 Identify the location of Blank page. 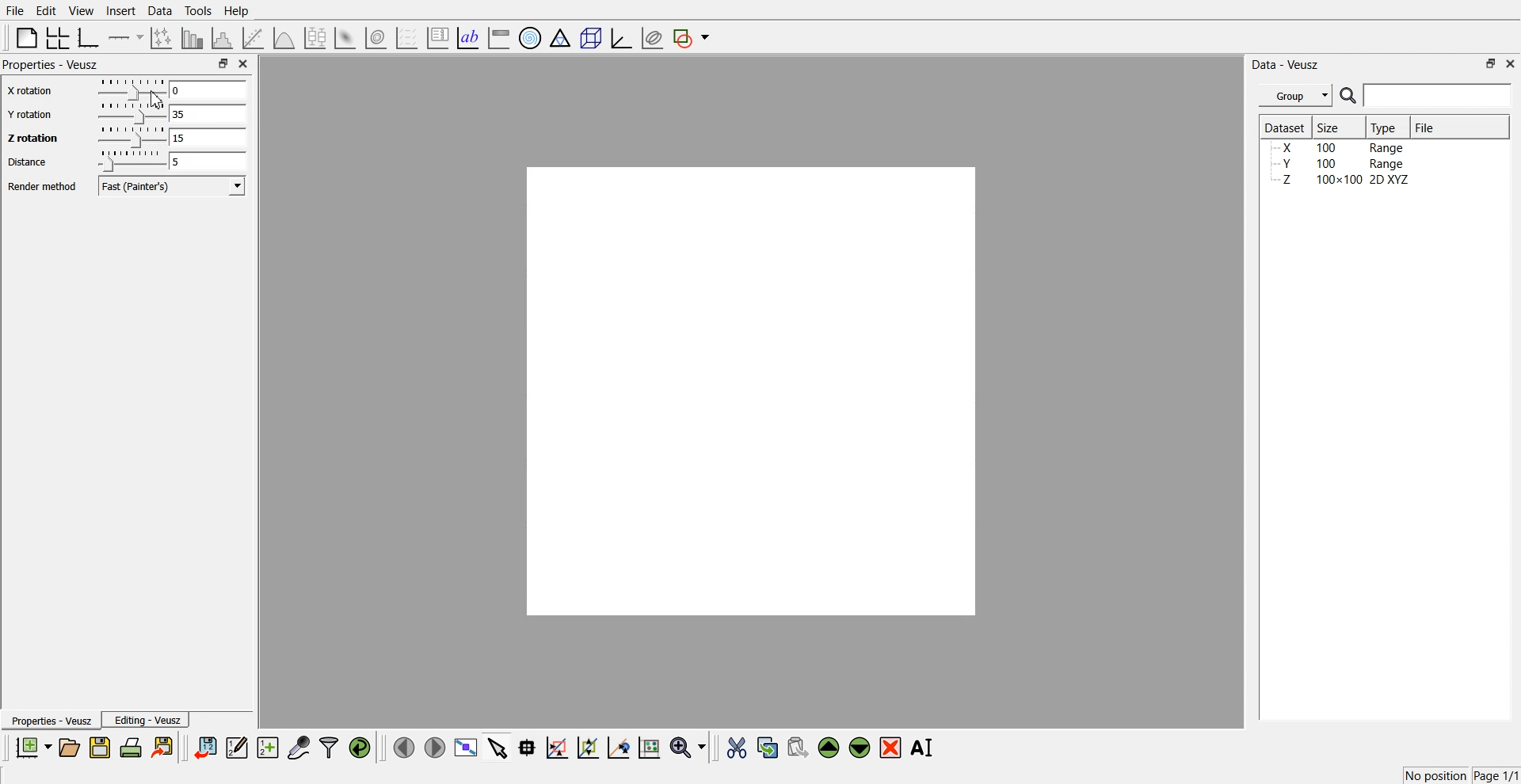
(27, 37).